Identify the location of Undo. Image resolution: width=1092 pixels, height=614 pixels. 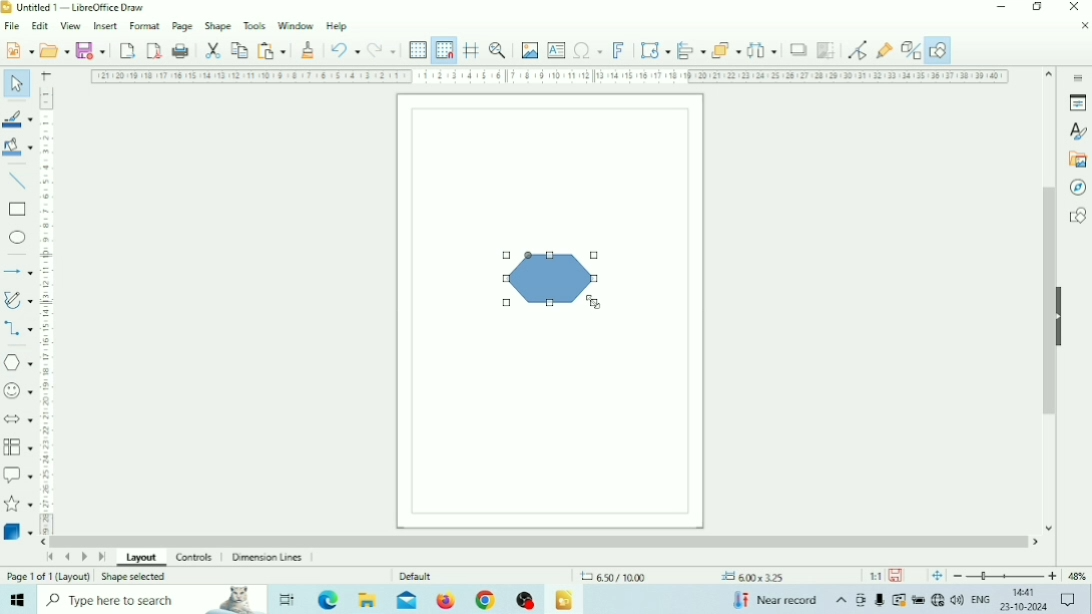
(345, 50).